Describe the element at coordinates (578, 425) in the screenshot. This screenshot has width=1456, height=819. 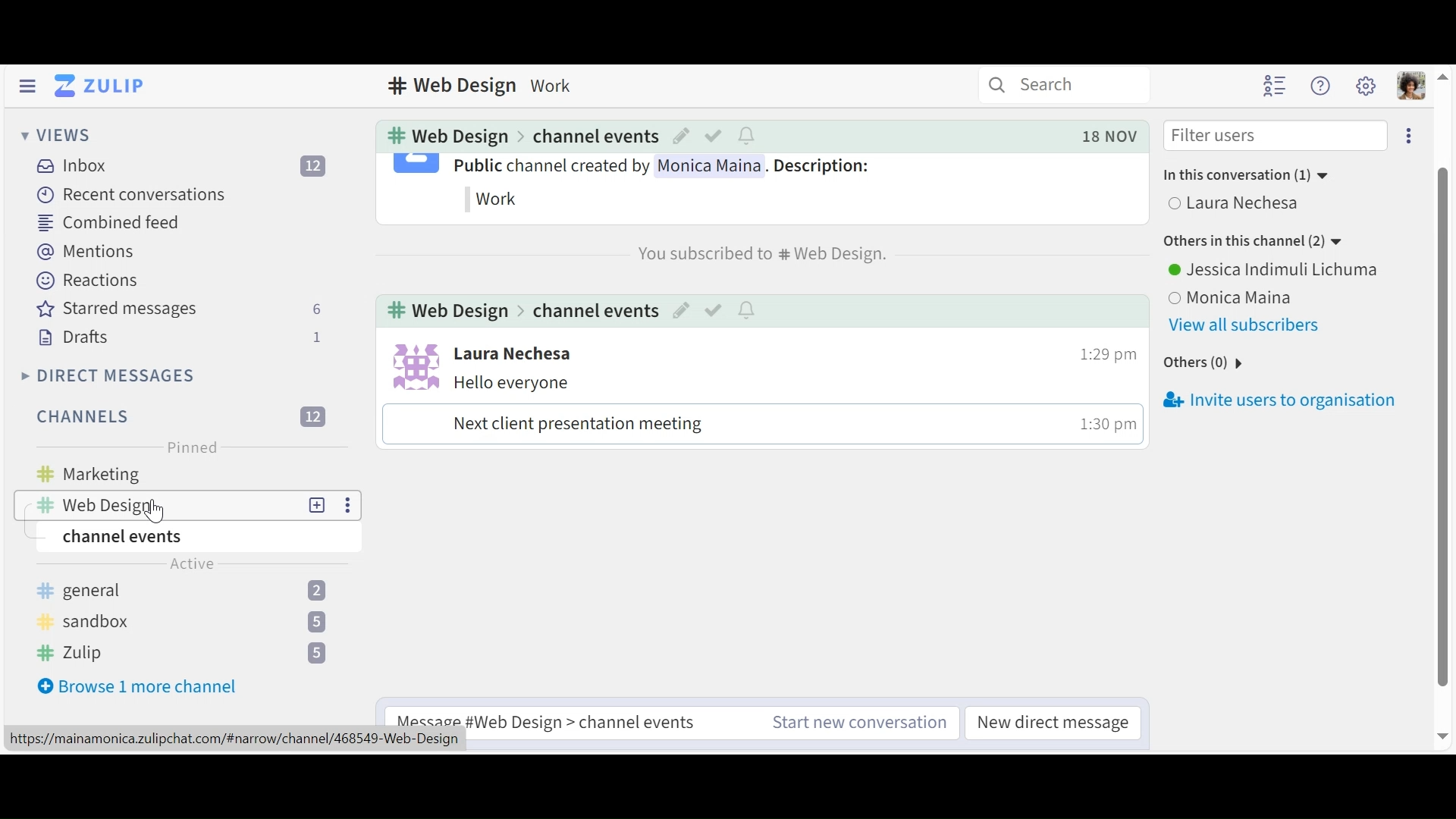
I see `Next client presentation meeting` at that location.